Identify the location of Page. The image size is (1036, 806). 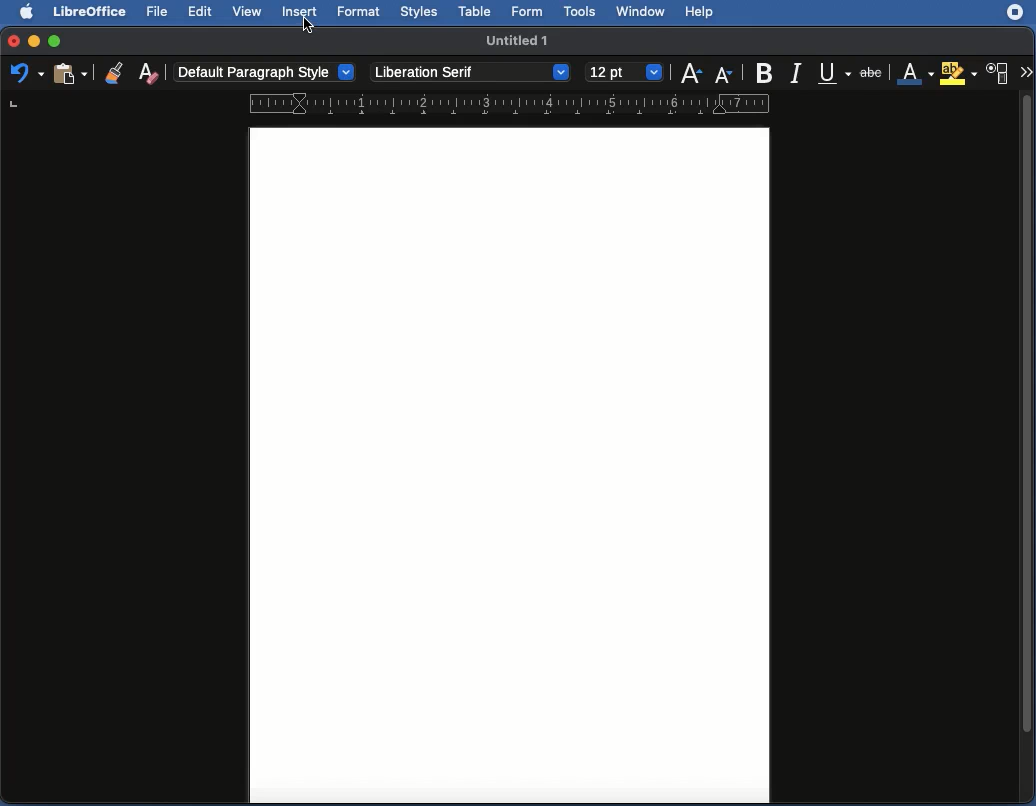
(510, 466).